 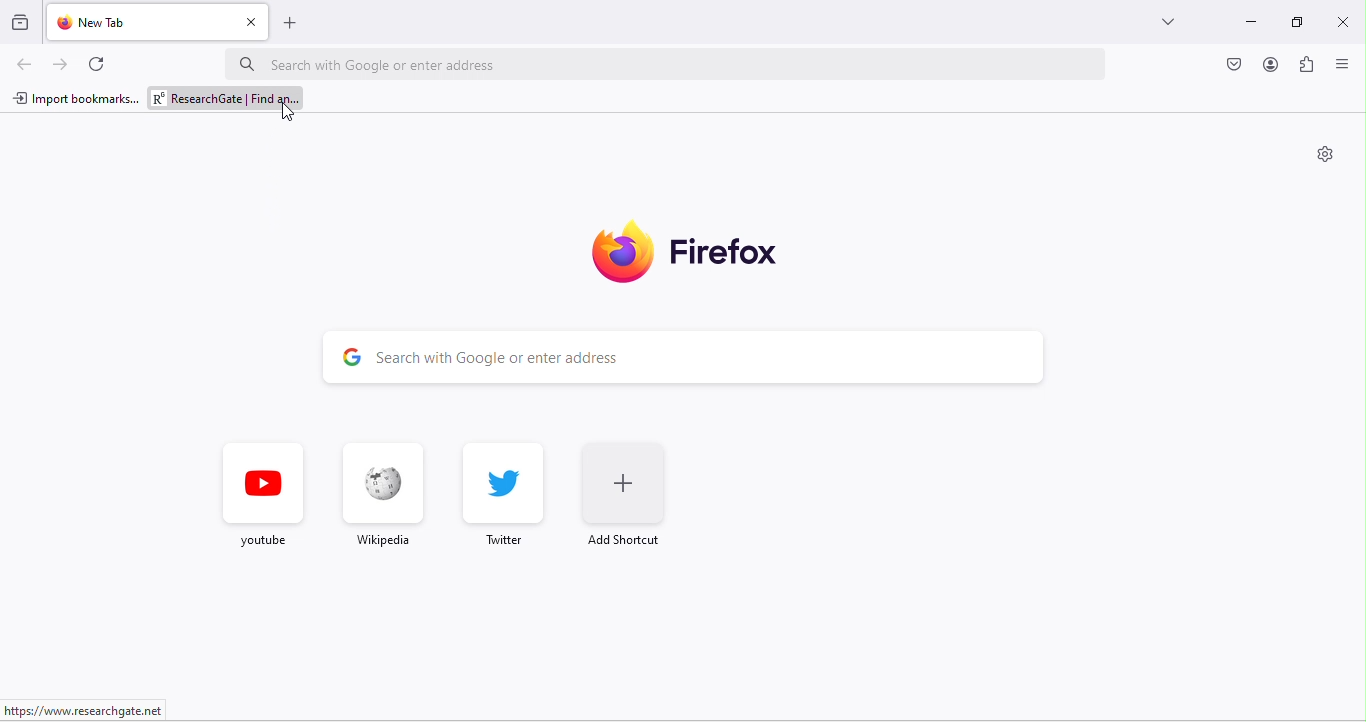 I want to click on settings, so click(x=1325, y=156).